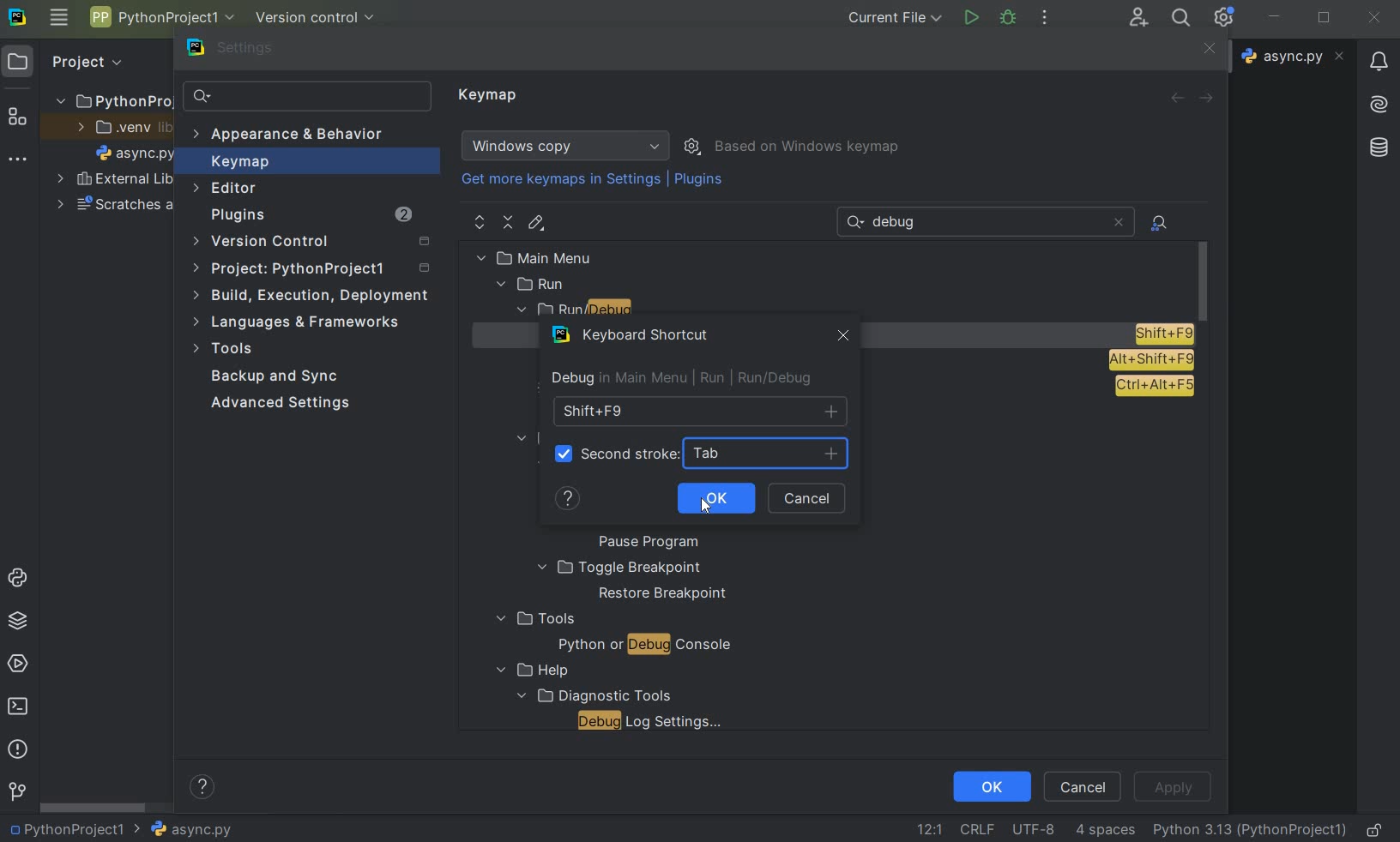 The width and height of the screenshot is (1400, 842). I want to click on ide and project settings, so click(1225, 17).